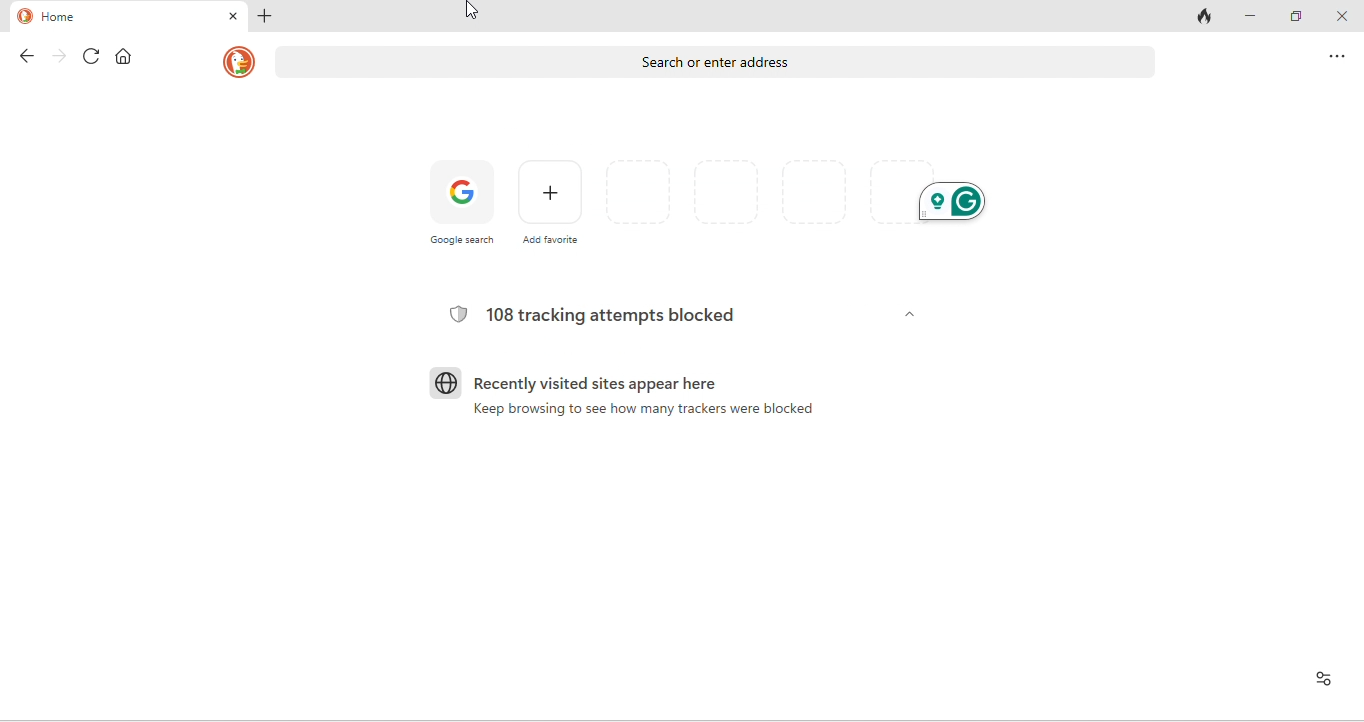  Describe the element at coordinates (463, 201) in the screenshot. I see `google` at that location.